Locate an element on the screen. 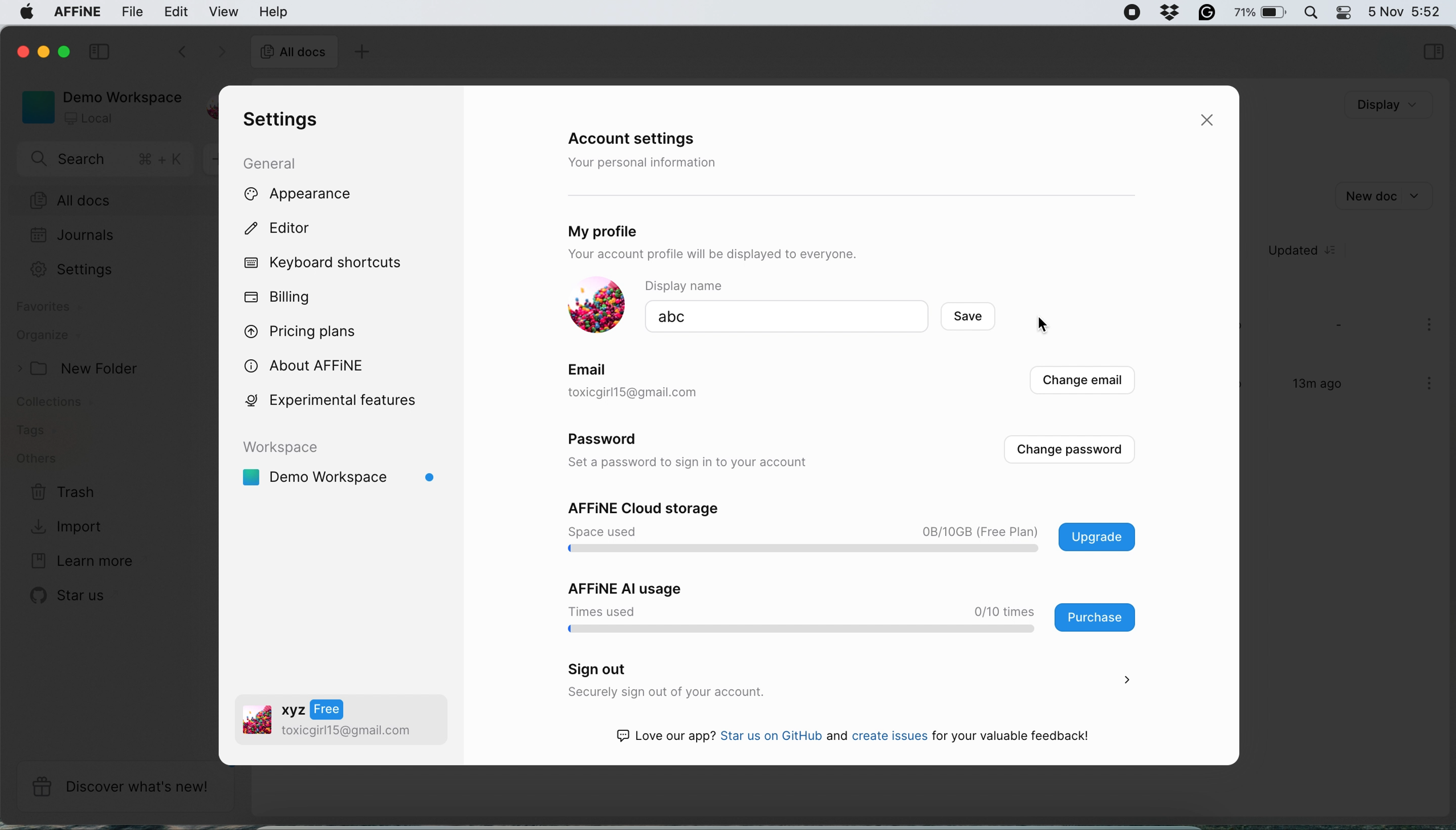 The width and height of the screenshot is (1456, 830). 5 Nov 5:44 is located at coordinates (1404, 10).